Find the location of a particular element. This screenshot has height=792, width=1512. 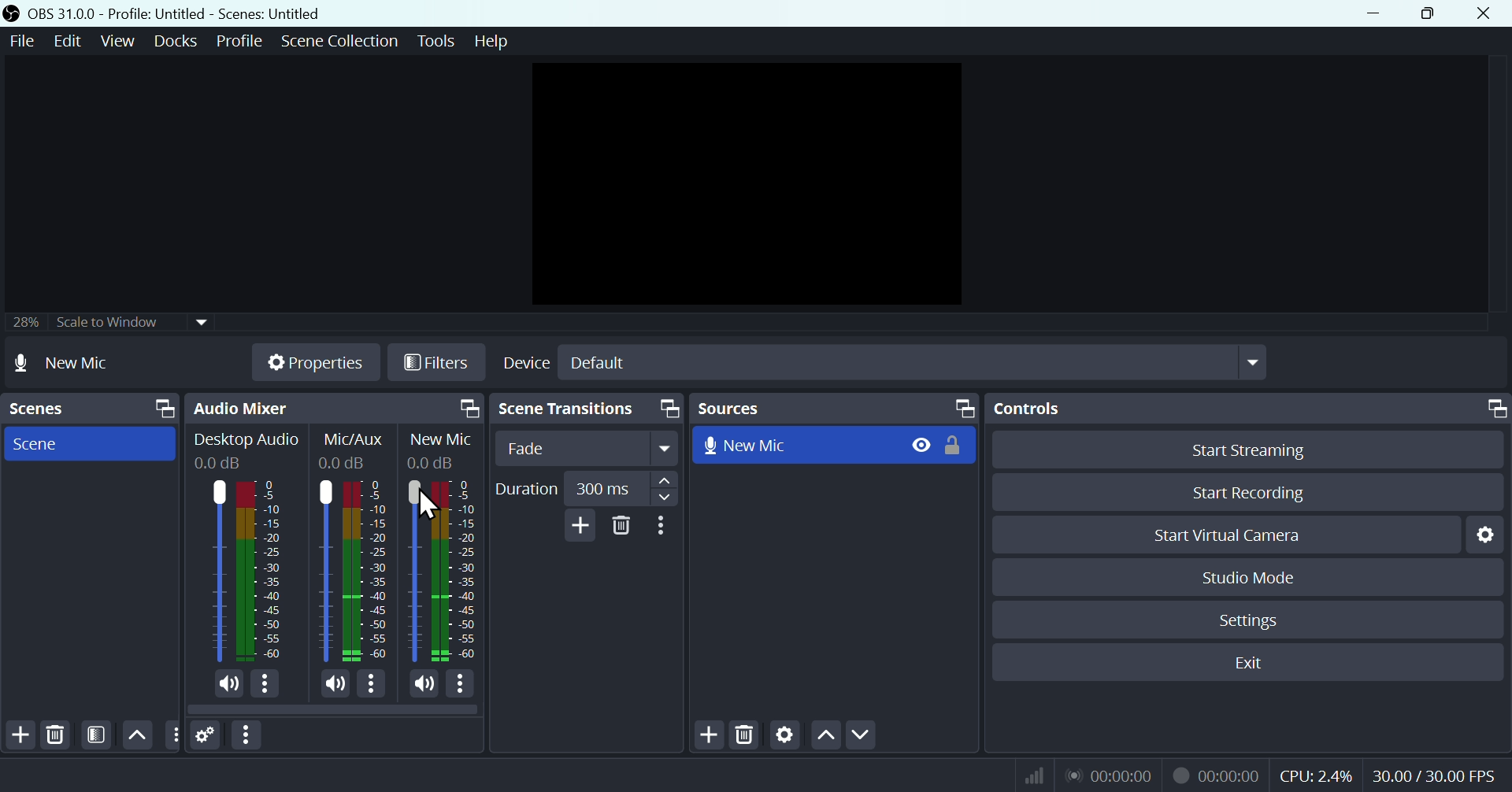

start Virtual camera is located at coordinates (1236, 535).